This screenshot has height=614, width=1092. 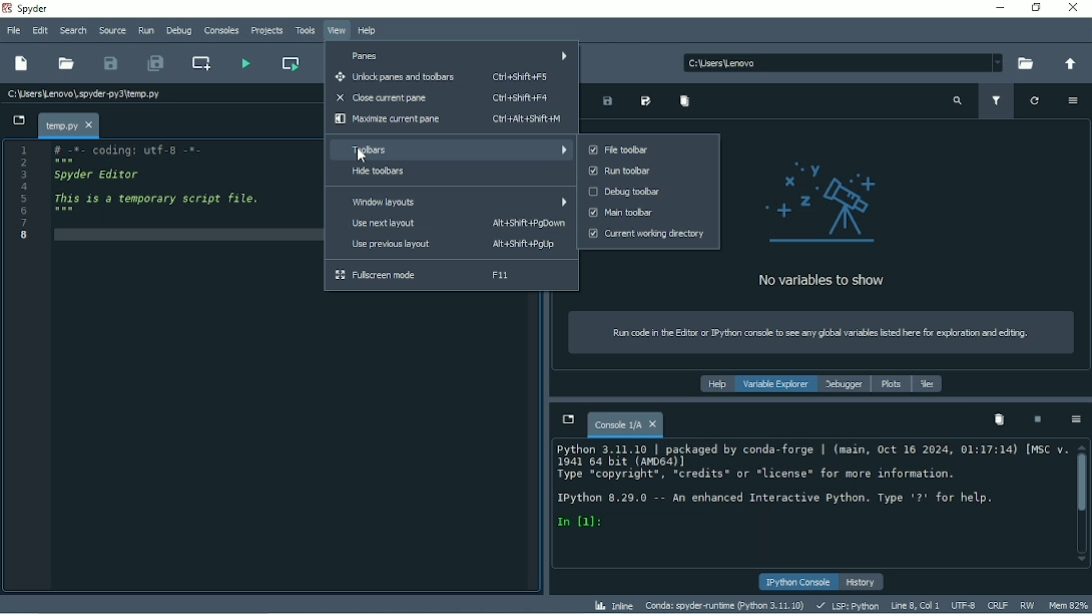 What do you see at coordinates (998, 102) in the screenshot?
I see `Filter variables` at bounding box center [998, 102].